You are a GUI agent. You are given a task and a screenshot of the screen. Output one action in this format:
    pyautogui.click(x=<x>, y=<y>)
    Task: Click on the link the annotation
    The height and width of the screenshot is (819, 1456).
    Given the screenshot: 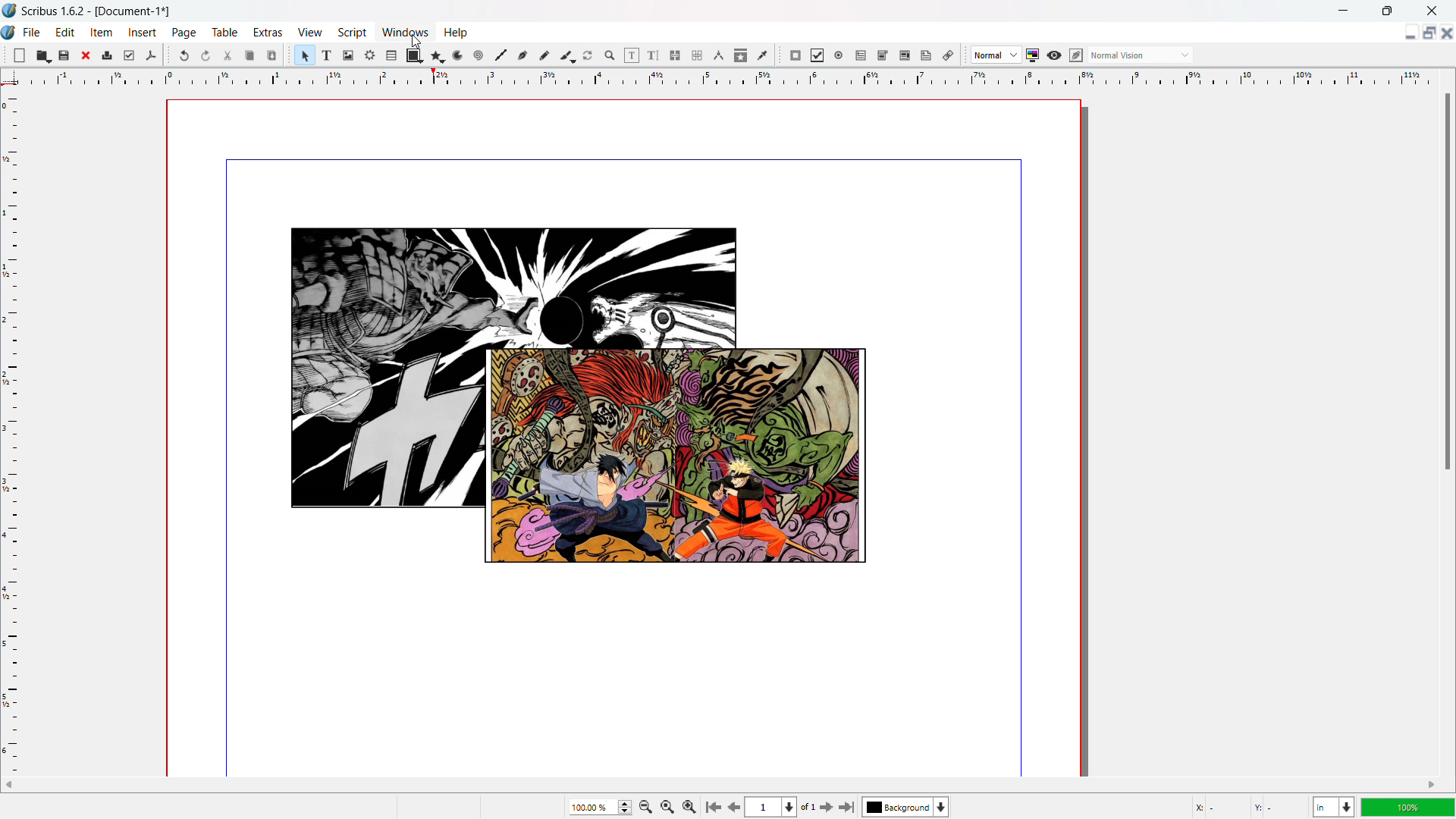 What is the action you would take?
    pyautogui.click(x=948, y=55)
    